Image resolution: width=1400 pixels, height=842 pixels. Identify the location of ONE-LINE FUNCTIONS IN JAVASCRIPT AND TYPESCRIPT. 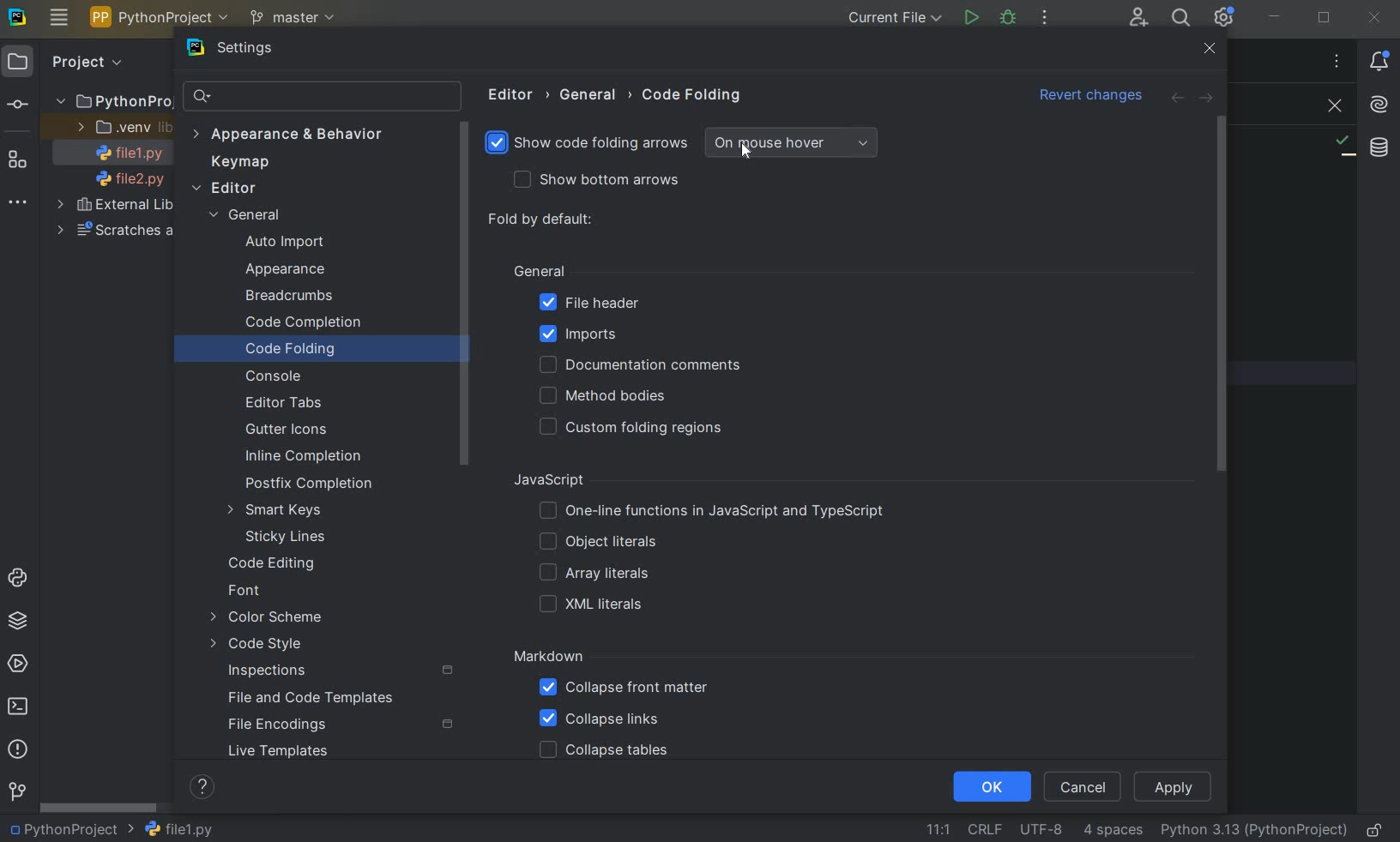
(714, 511).